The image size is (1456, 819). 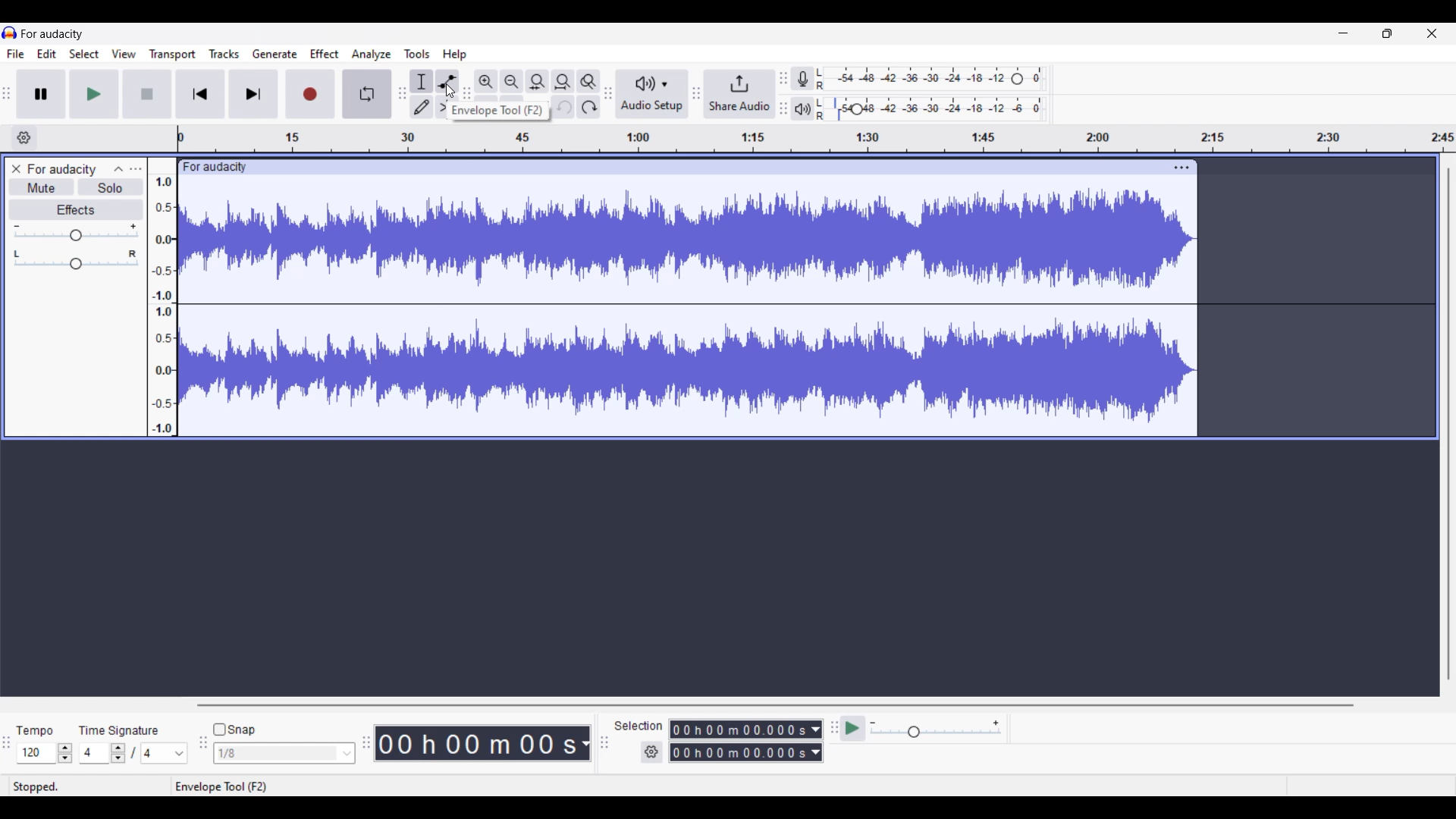 I want to click on Zoom out, so click(x=513, y=81).